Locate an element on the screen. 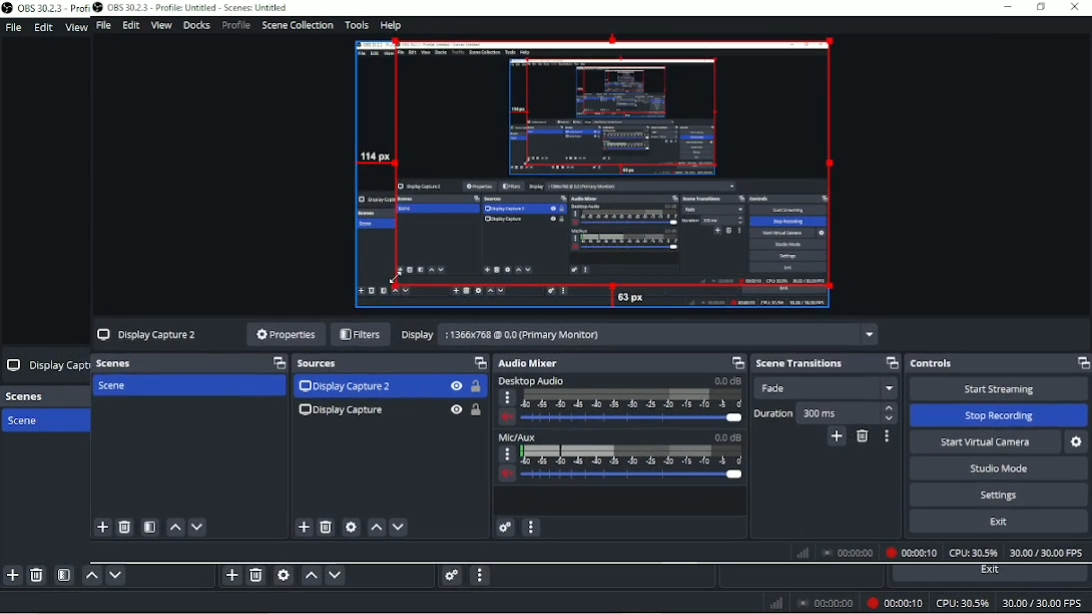 This screenshot has width=1092, height=614. Transition properties is located at coordinates (888, 438).